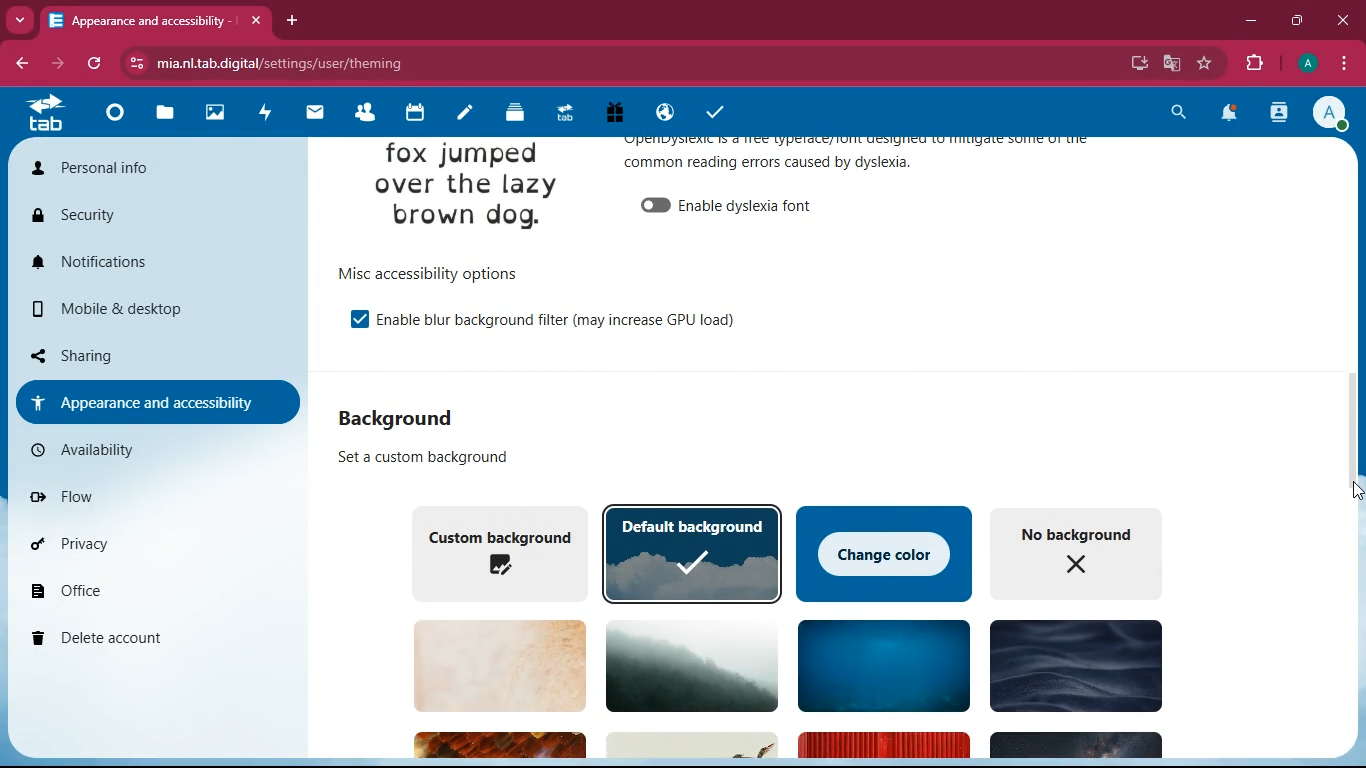  I want to click on gift, so click(616, 114).